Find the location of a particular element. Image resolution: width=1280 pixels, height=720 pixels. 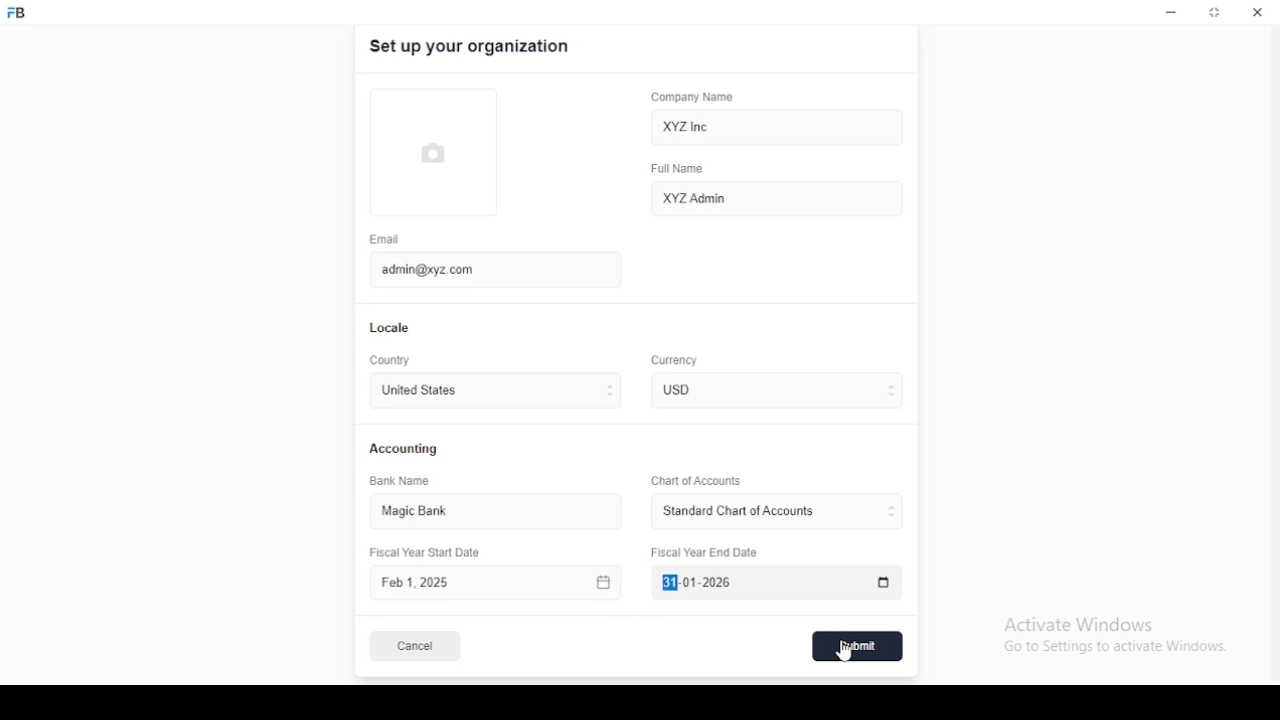

full name is located at coordinates (683, 169).